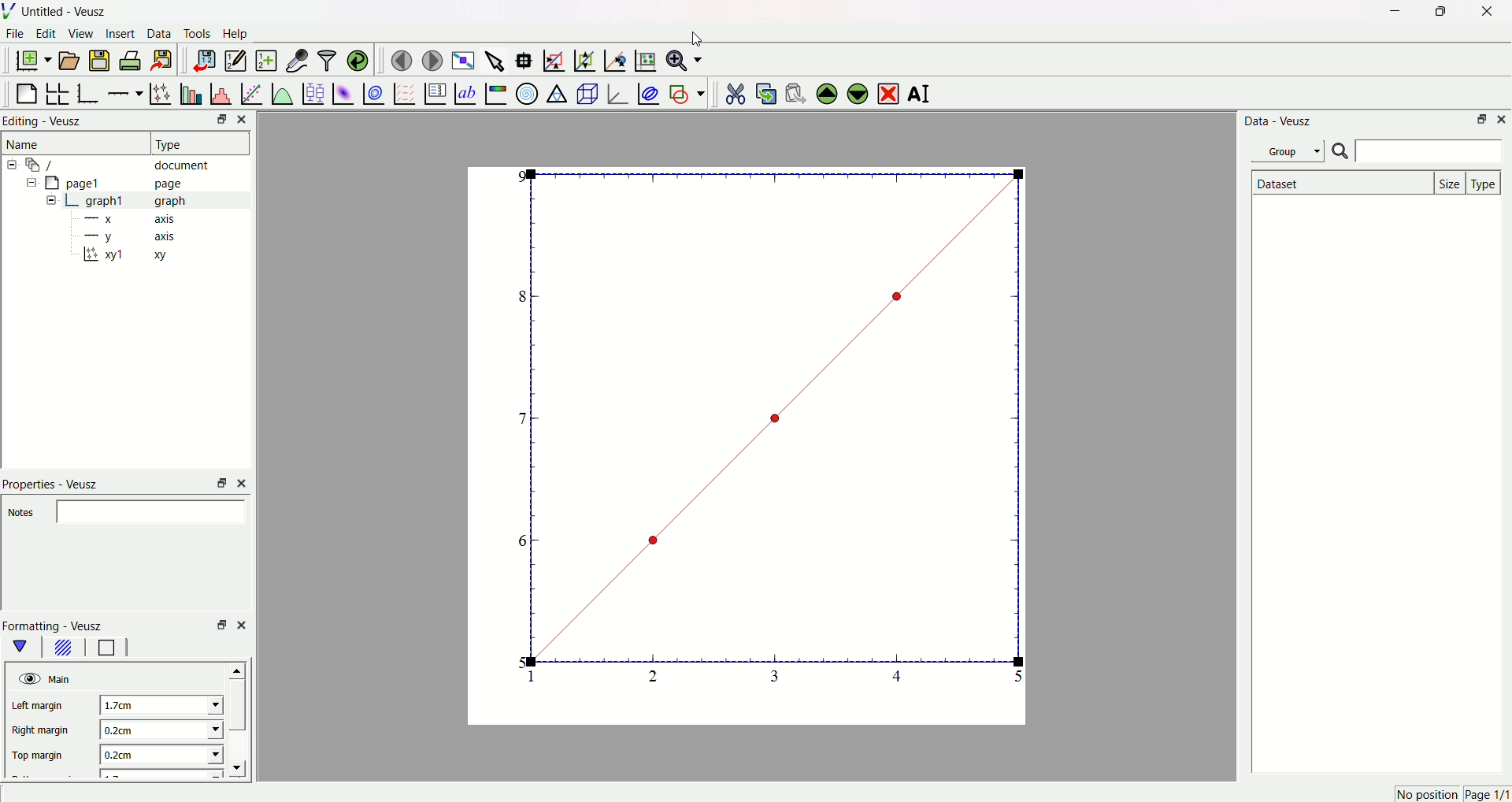 This screenshot has width=1512, height=802. Describe the element at coordinates (686, 93) in the screenshot. I see `add a shape ` at that location.